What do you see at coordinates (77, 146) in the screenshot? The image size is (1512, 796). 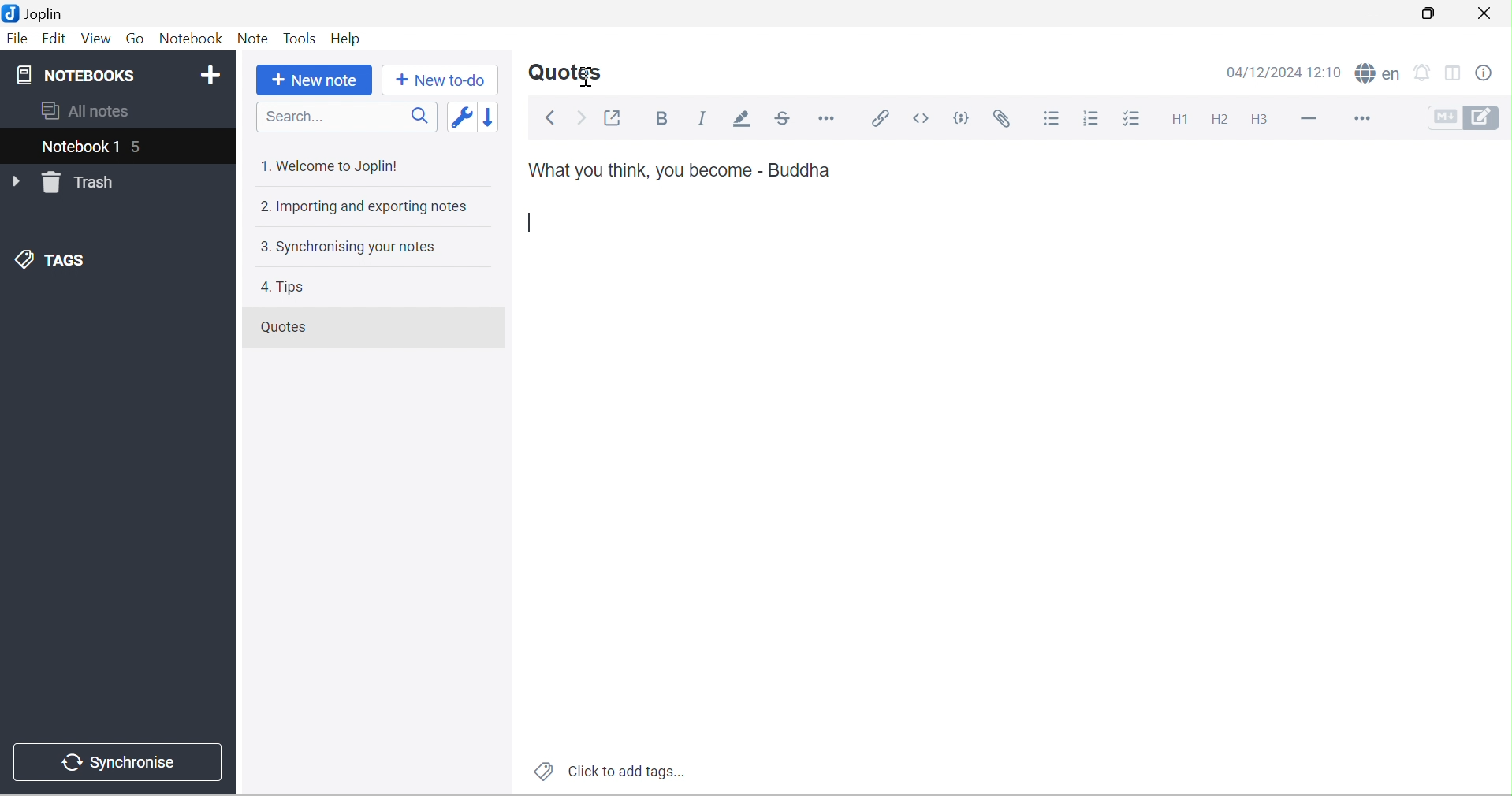 I see `Notebook 1` at bounding box center [77, 146].